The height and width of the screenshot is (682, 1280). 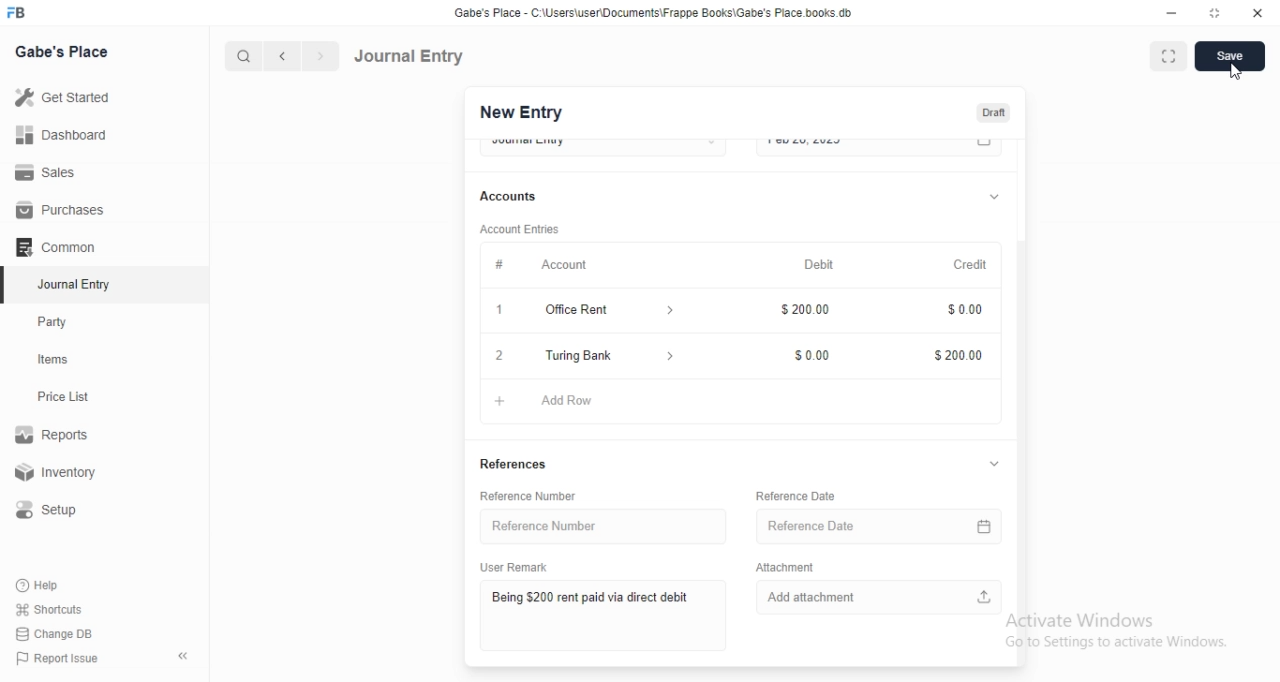 What do you see at coordinates (580, 310) in the screenshot?
I see `Office Rent` at bounding box center [580, 310].